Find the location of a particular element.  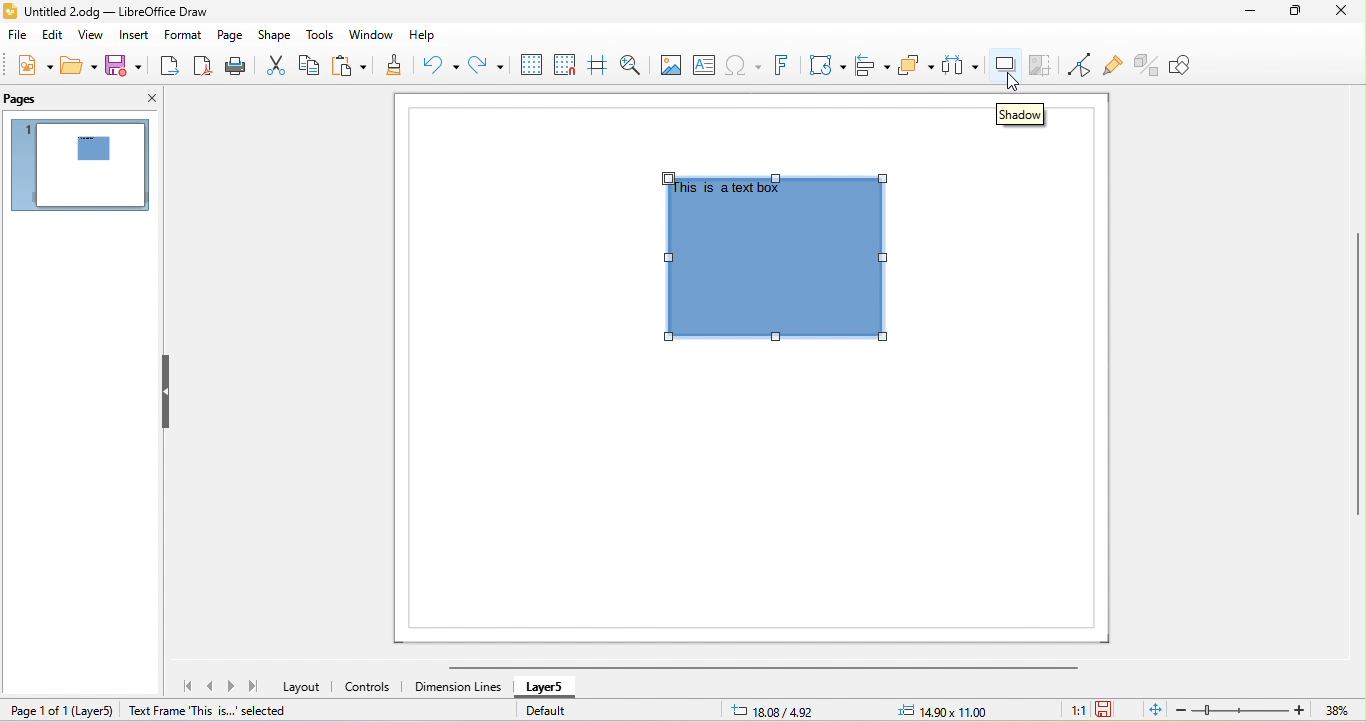

pages is located at coordinates (21, 100).